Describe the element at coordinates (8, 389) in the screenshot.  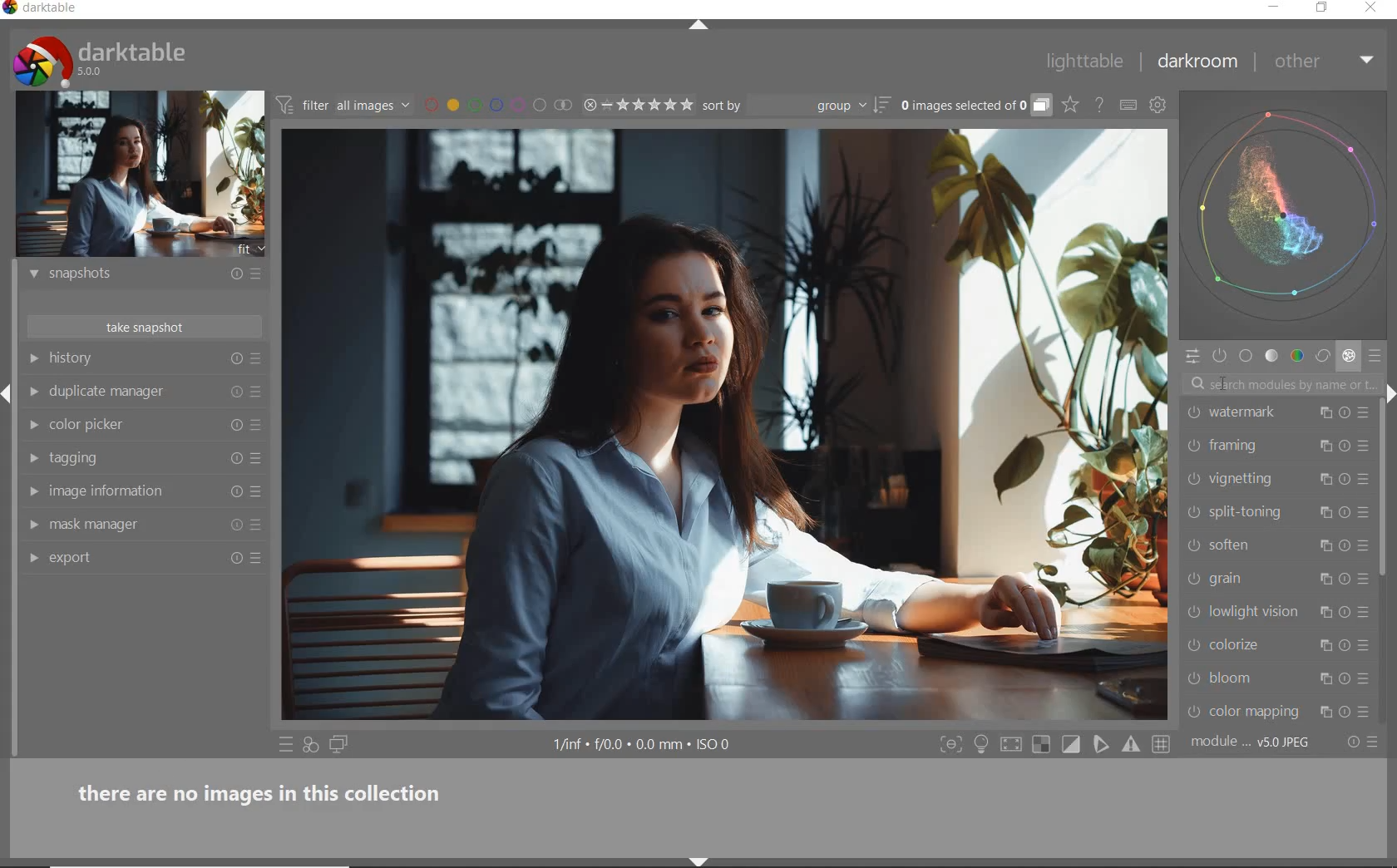
I see `Expand/Collapse` at that location.